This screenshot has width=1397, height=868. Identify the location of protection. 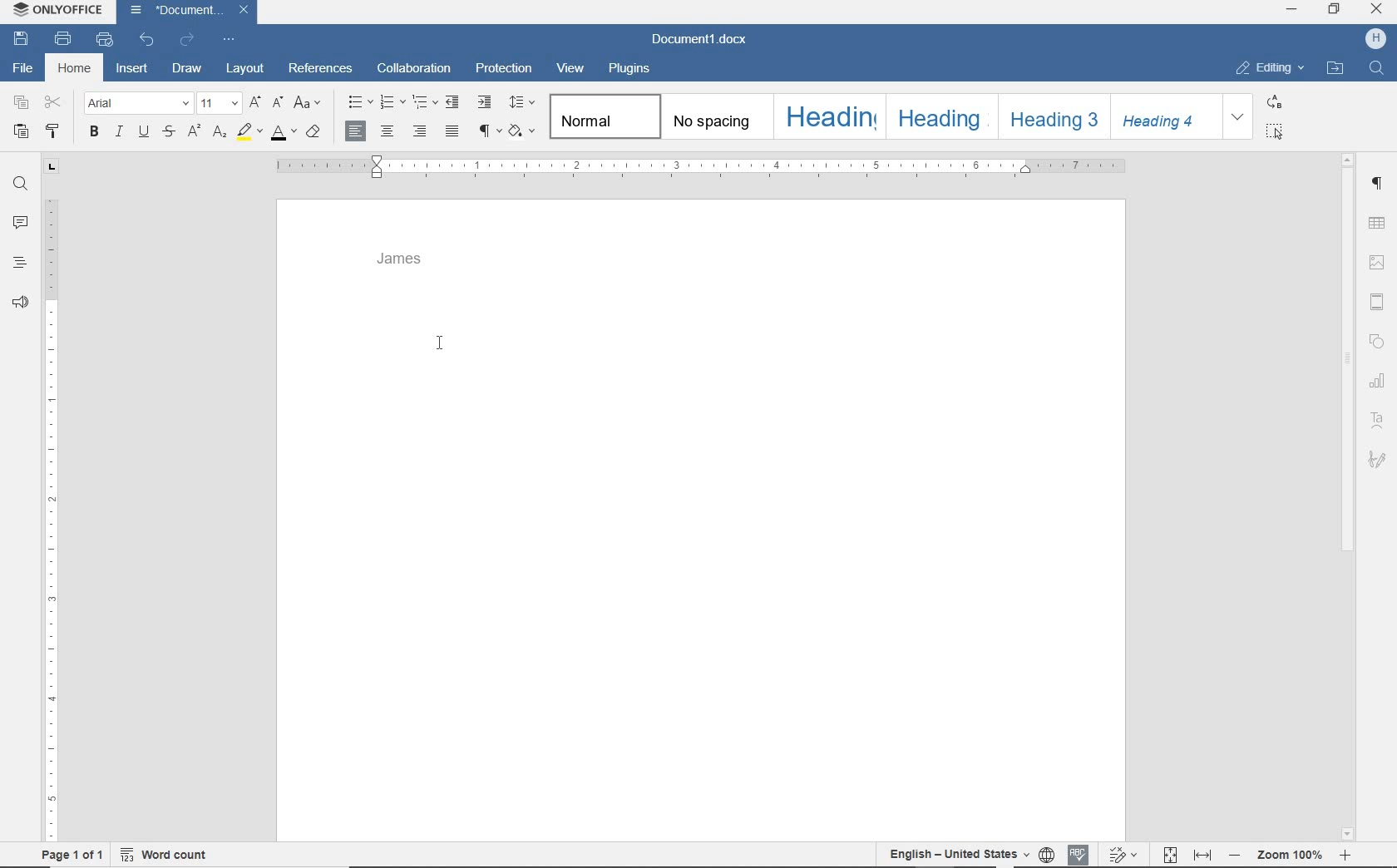
(504, 68).